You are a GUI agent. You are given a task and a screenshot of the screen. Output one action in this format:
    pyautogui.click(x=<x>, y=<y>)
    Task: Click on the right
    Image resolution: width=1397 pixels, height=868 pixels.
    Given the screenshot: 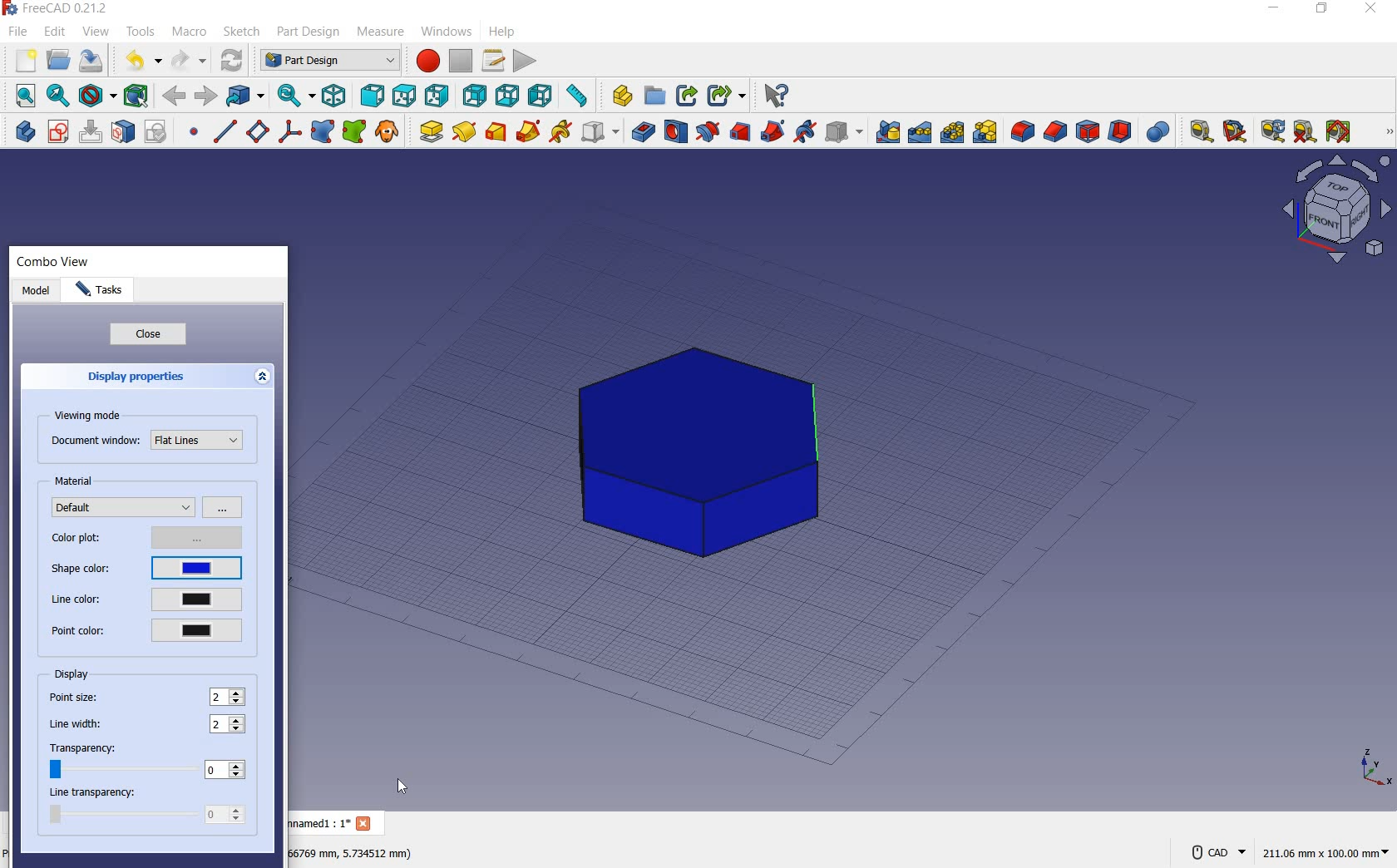 What is the action you would take?
    pyautogui.click(x=438, y=96)
    